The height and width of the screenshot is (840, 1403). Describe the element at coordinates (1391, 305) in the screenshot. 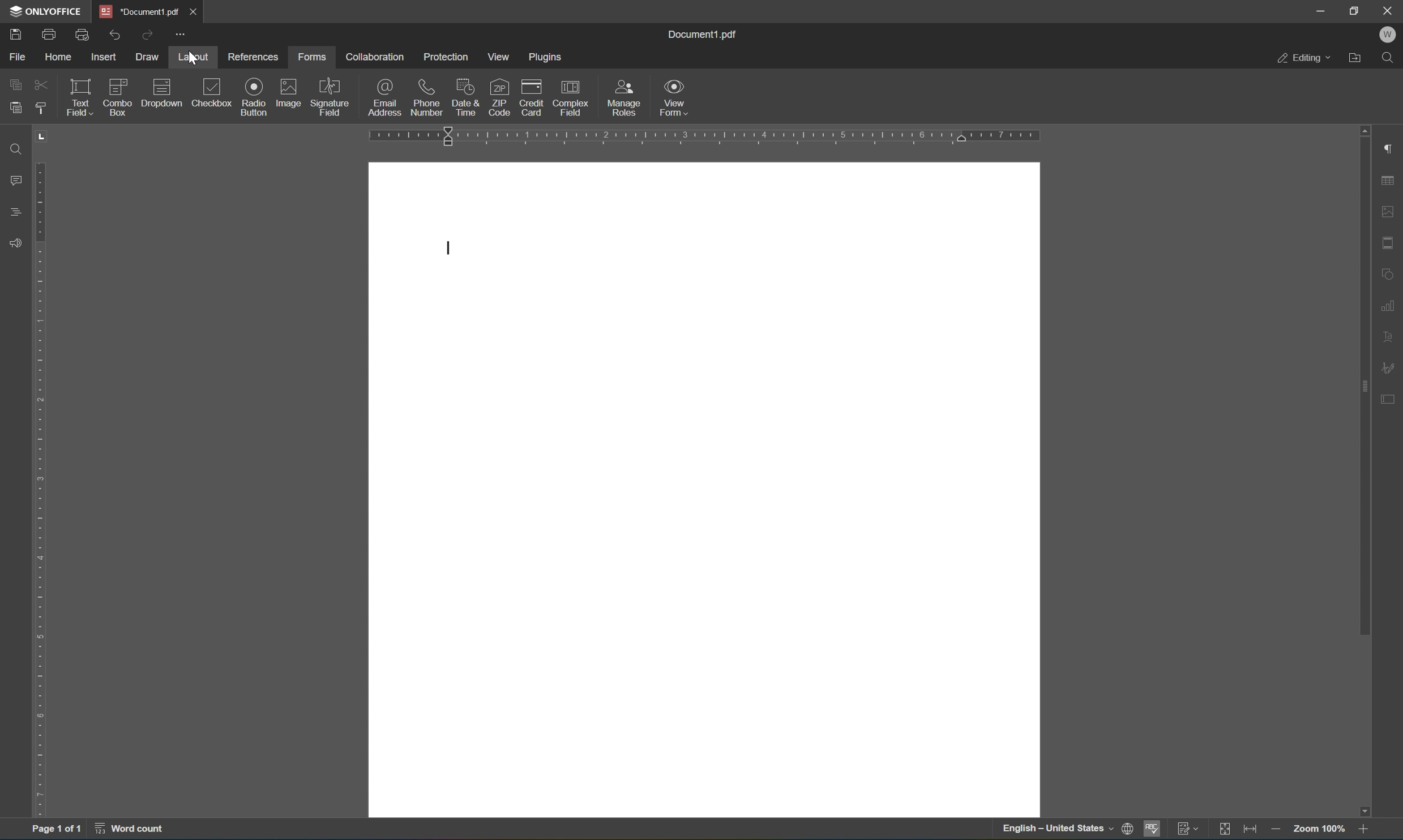

I see `chart settings` at that location.